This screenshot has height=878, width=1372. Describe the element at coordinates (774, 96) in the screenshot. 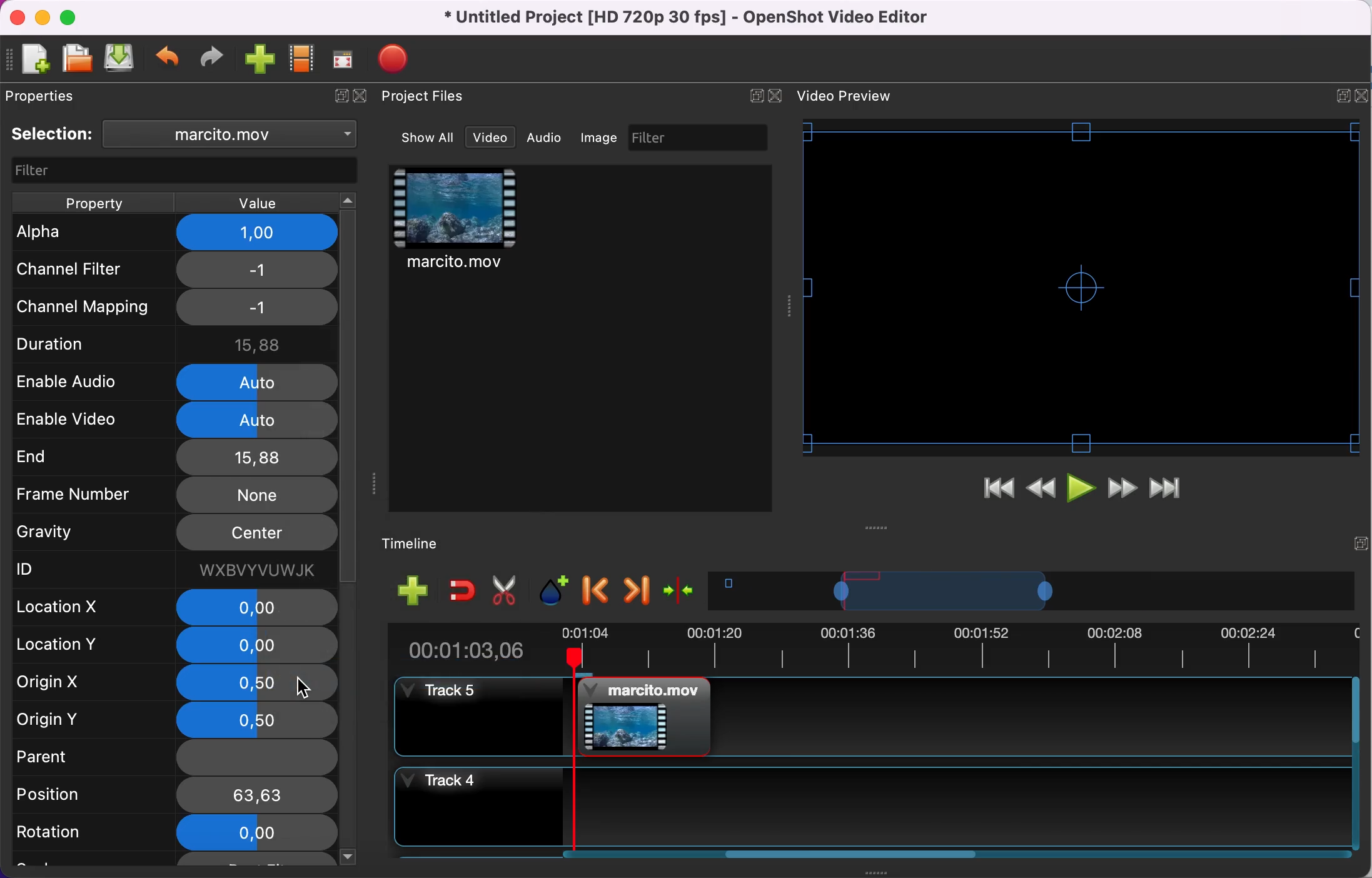

I see `Close` at that location.